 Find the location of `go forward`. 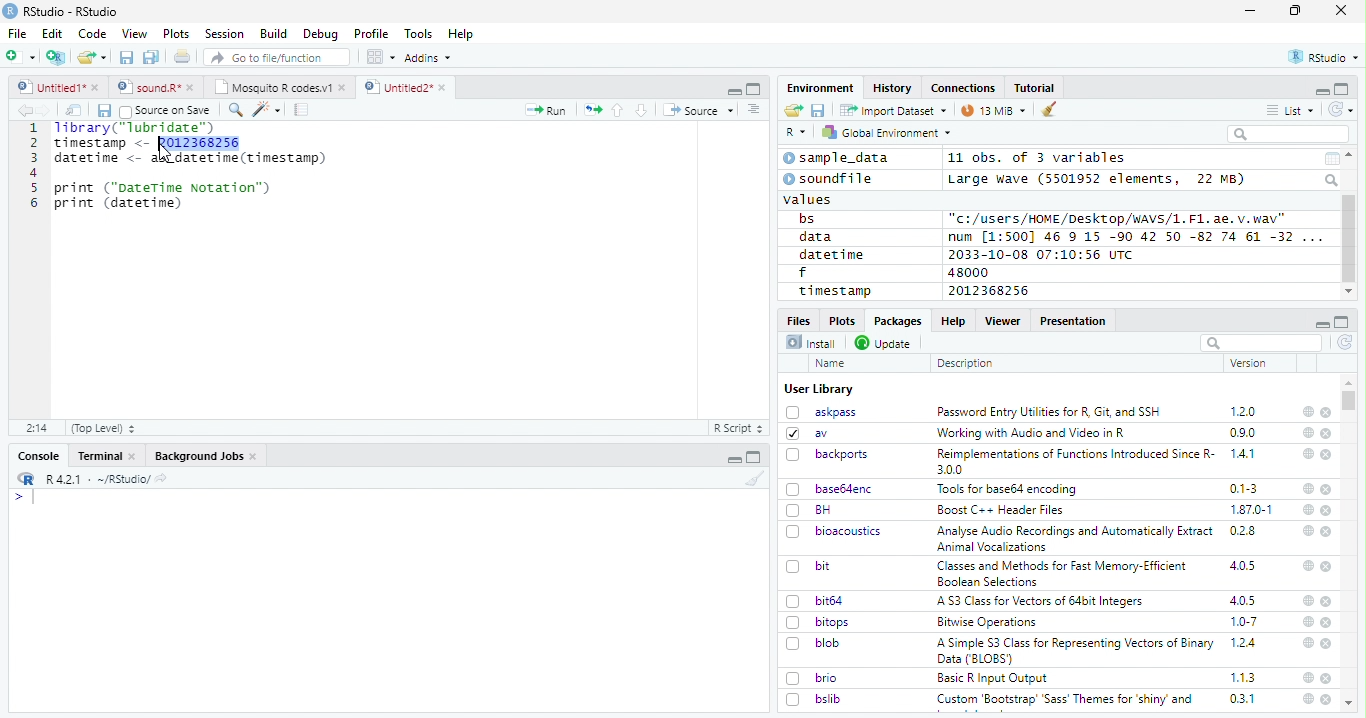

go forward is located at coordinates (48, 110).